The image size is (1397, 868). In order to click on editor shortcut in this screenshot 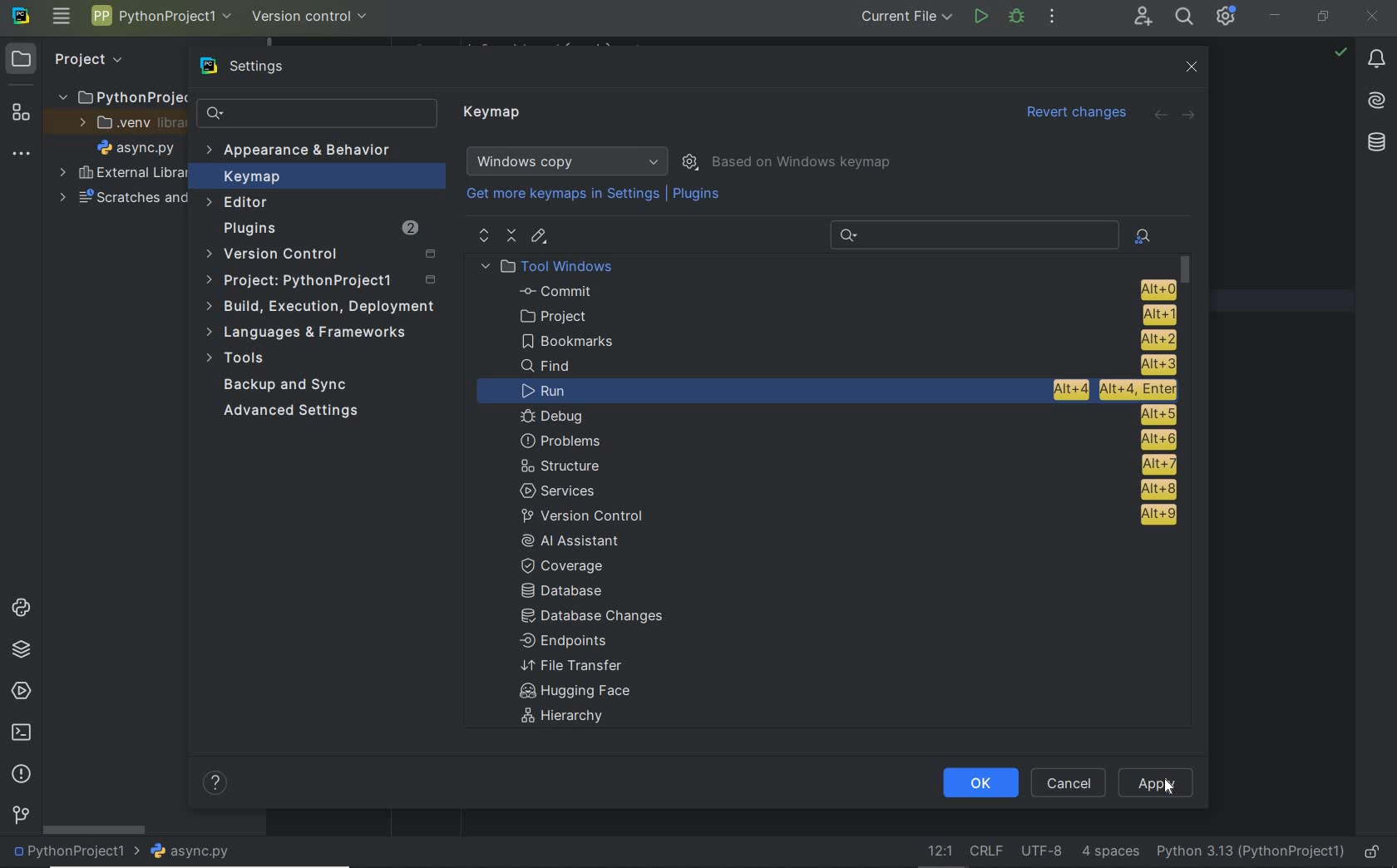, I will do `click(540, 238)`.